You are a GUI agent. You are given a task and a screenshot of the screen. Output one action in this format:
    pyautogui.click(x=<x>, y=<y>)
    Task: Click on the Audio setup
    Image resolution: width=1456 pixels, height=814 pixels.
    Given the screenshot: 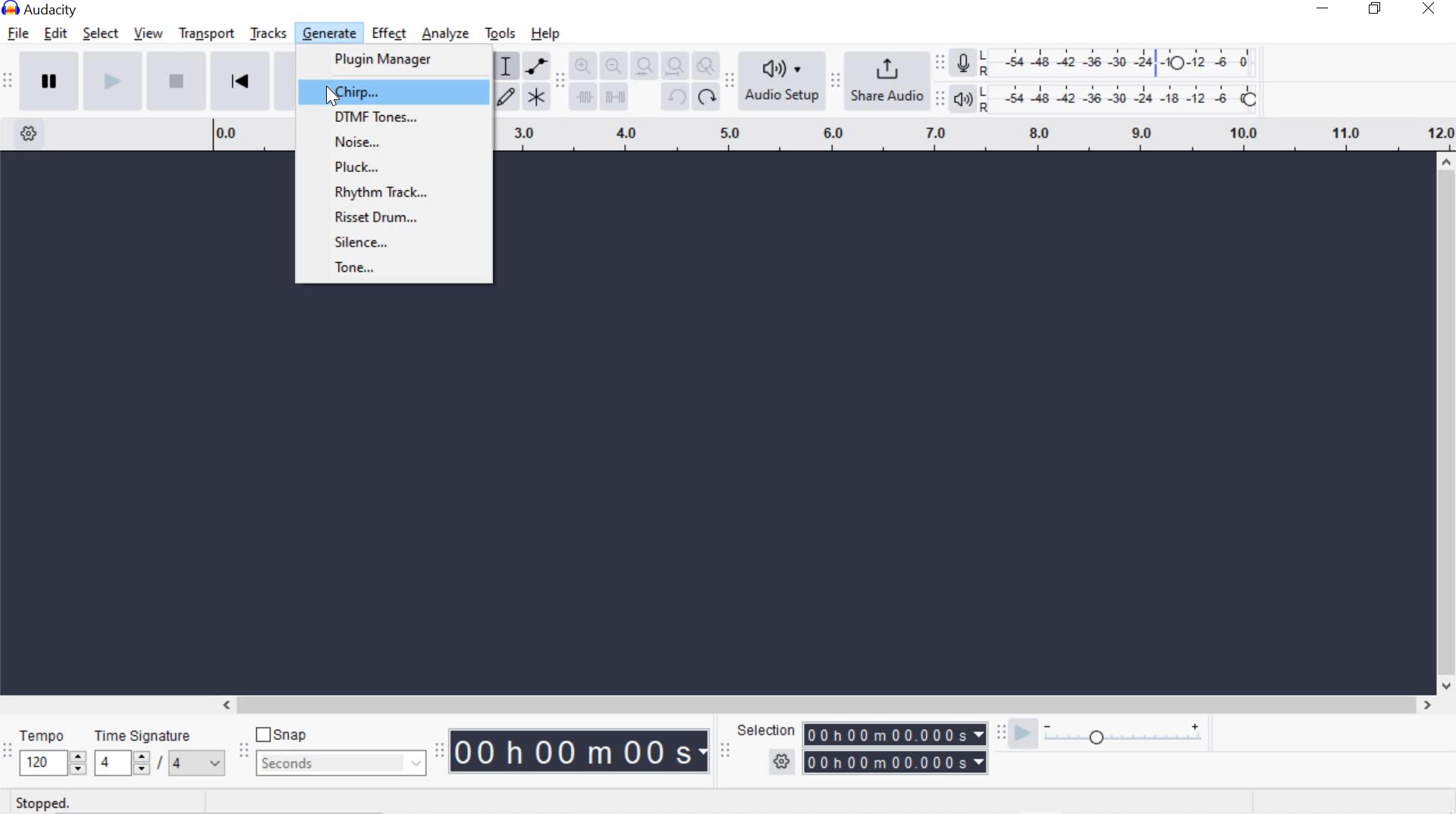 What is the action you would take?
    pyautogui.click(x=783, y=80)
    